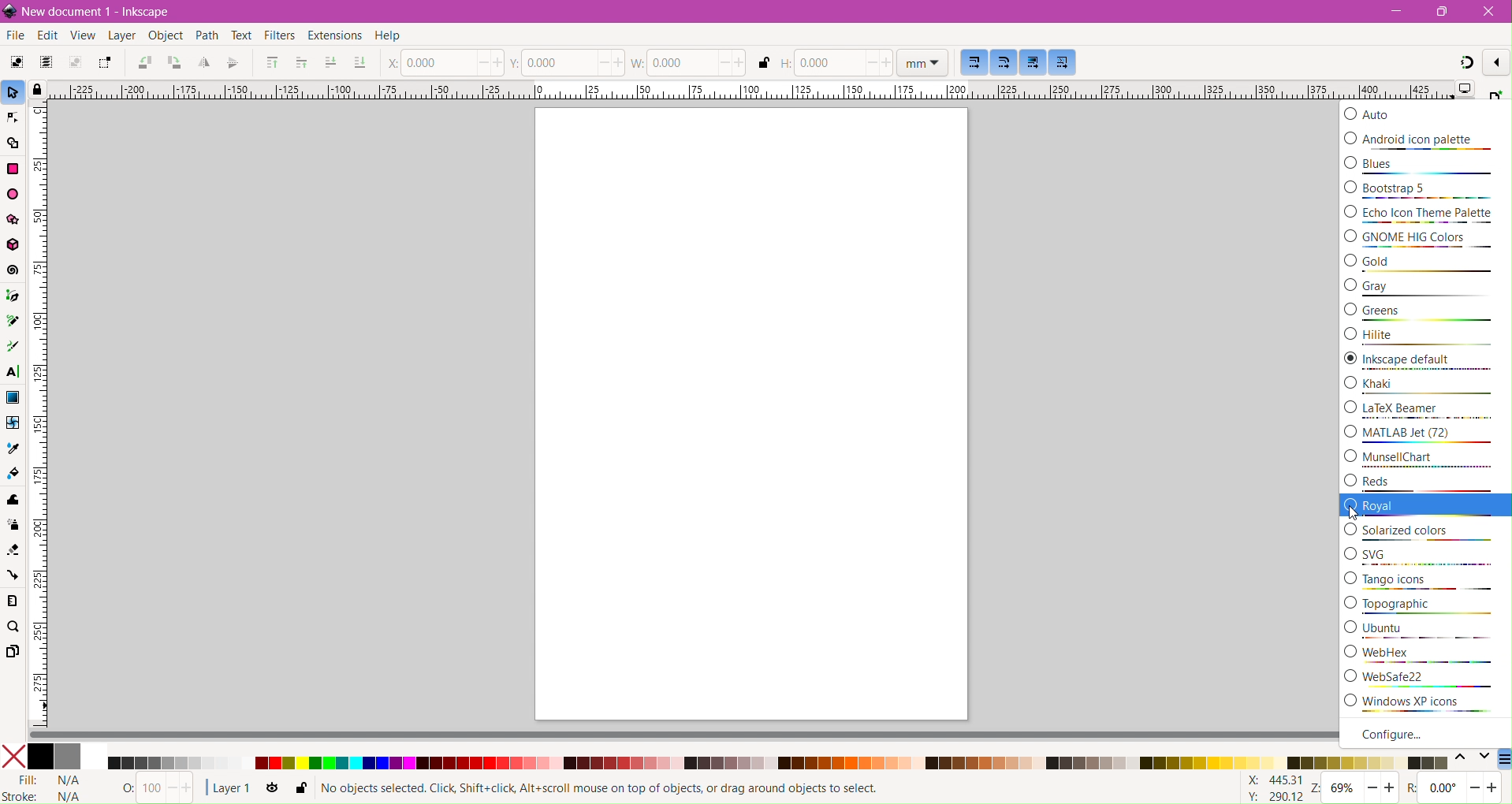  Describe the element at coordinates (764, 64) in the screenshot. I see `When locked, change both width and height by the same proportion ` at that location.